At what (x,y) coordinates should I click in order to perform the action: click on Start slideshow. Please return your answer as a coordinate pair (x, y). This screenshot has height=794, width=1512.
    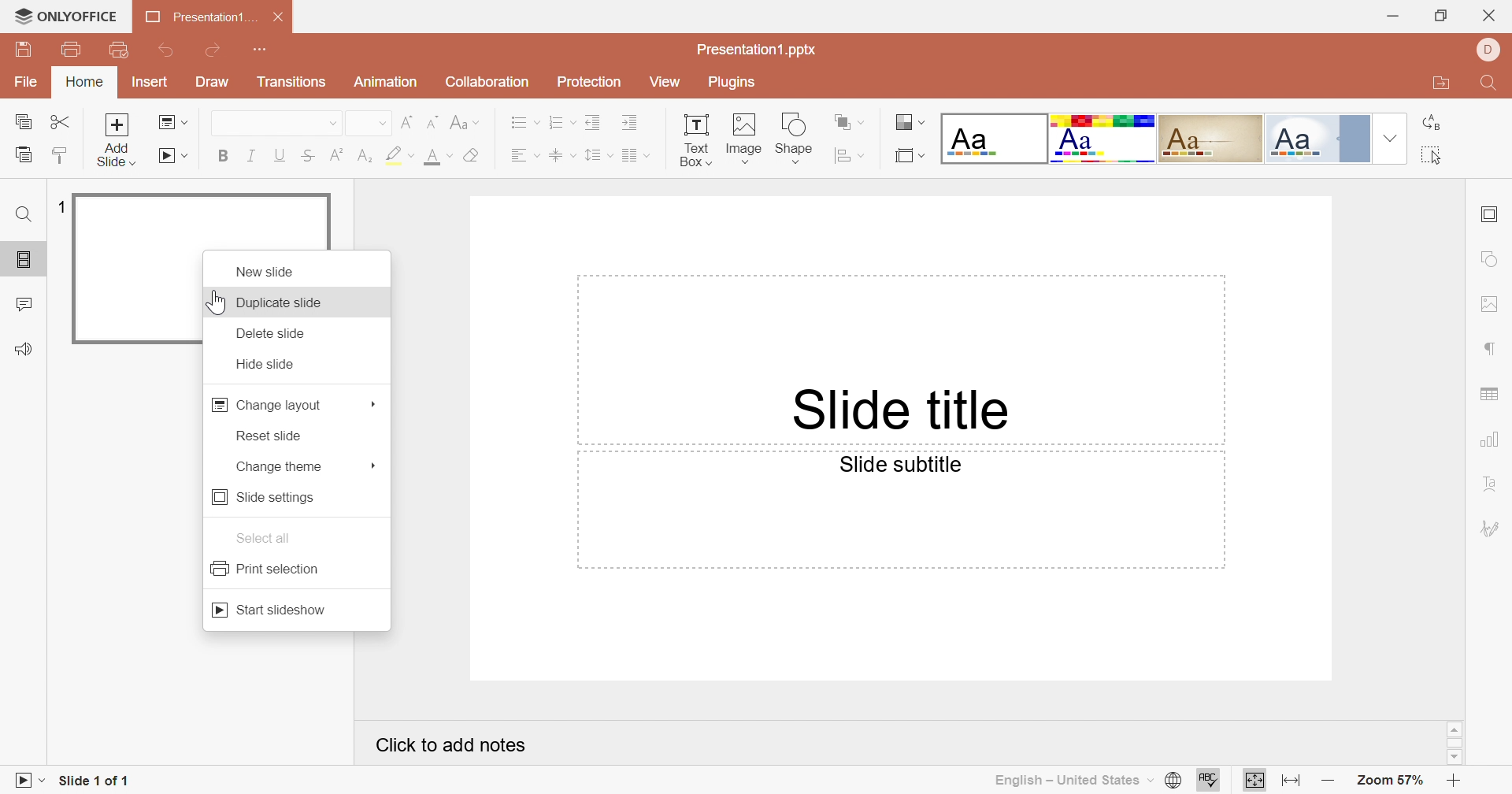
    Looking at the image, I should click on (172, 155).